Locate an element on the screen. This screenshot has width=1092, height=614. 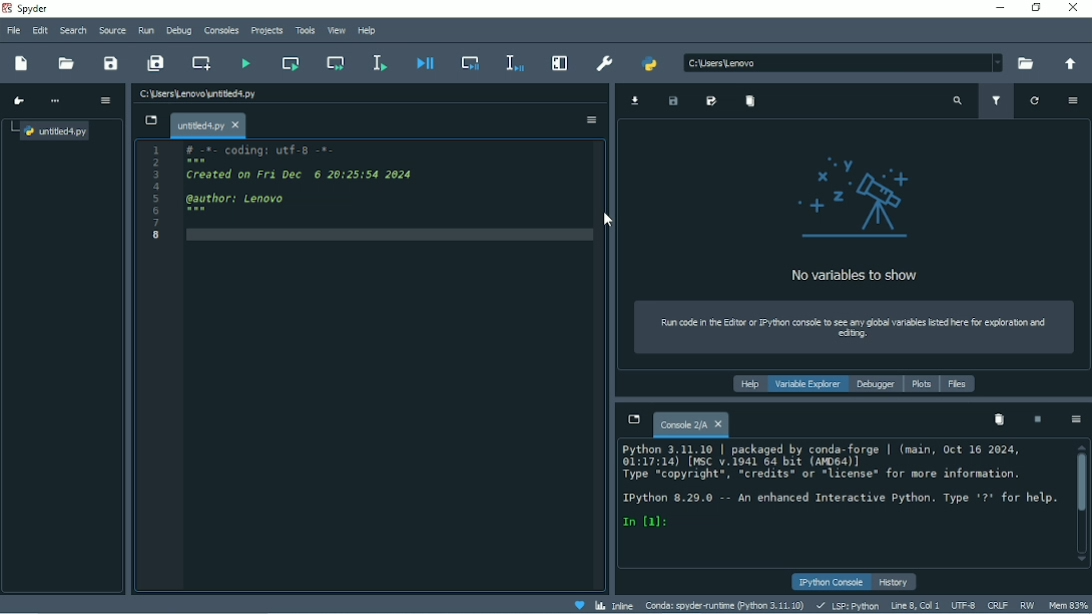
UTF is located at coordinates (963, 604).